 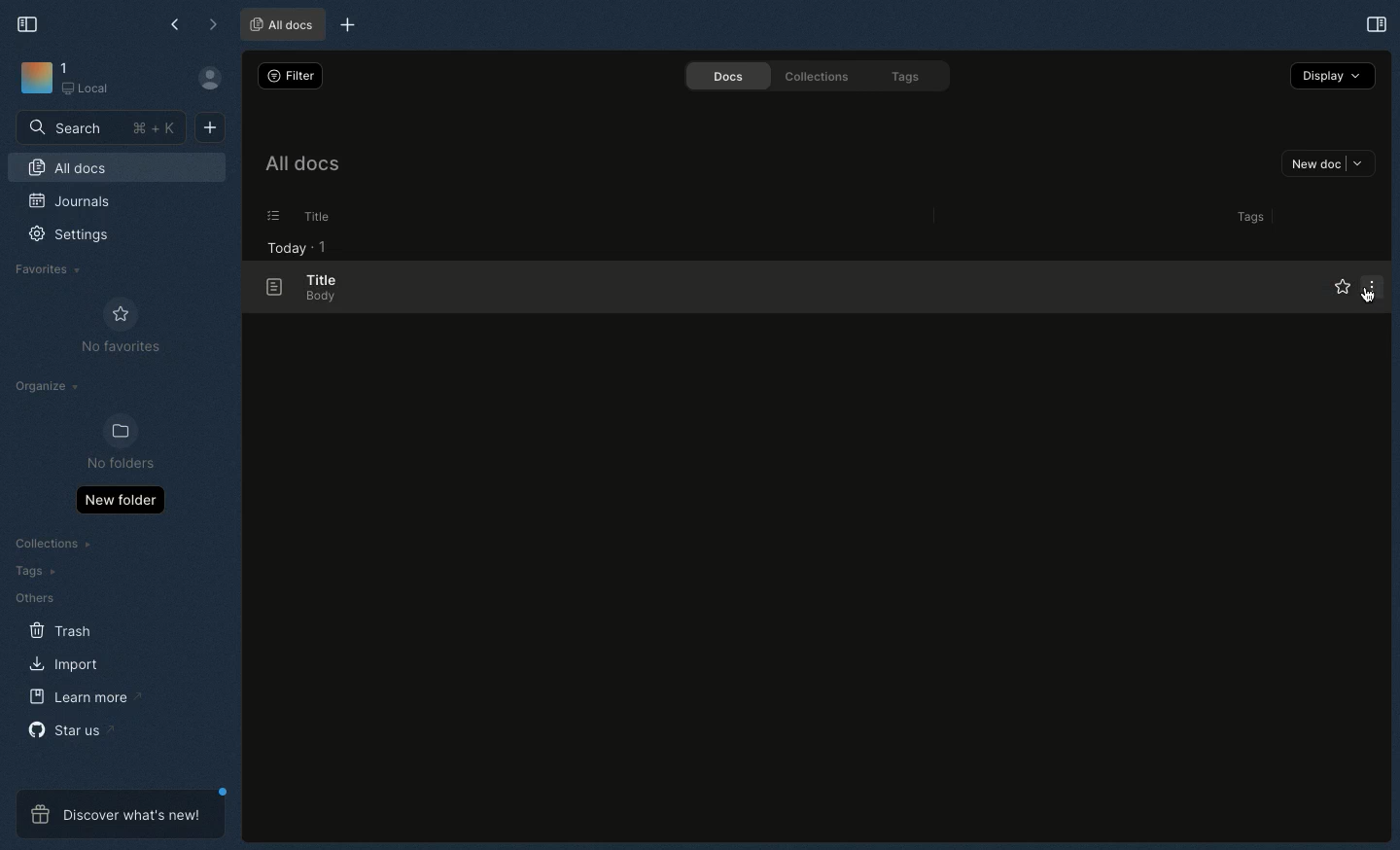 What do you see at coordinates (813, 76) in the screenshot?
I see `Collections` at bounding box center [813, 76].